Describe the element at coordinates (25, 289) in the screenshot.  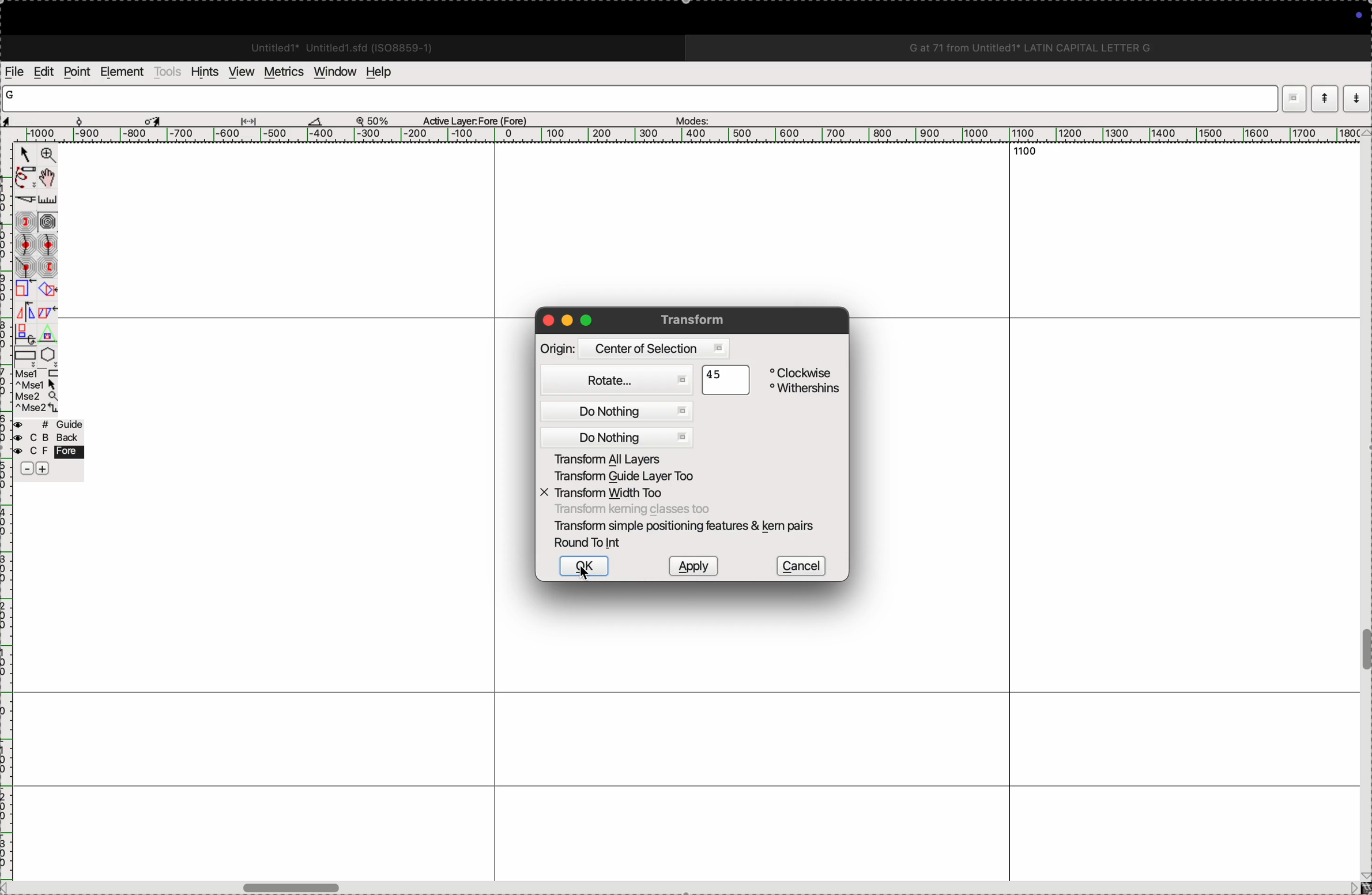
I see `scale` at that location.